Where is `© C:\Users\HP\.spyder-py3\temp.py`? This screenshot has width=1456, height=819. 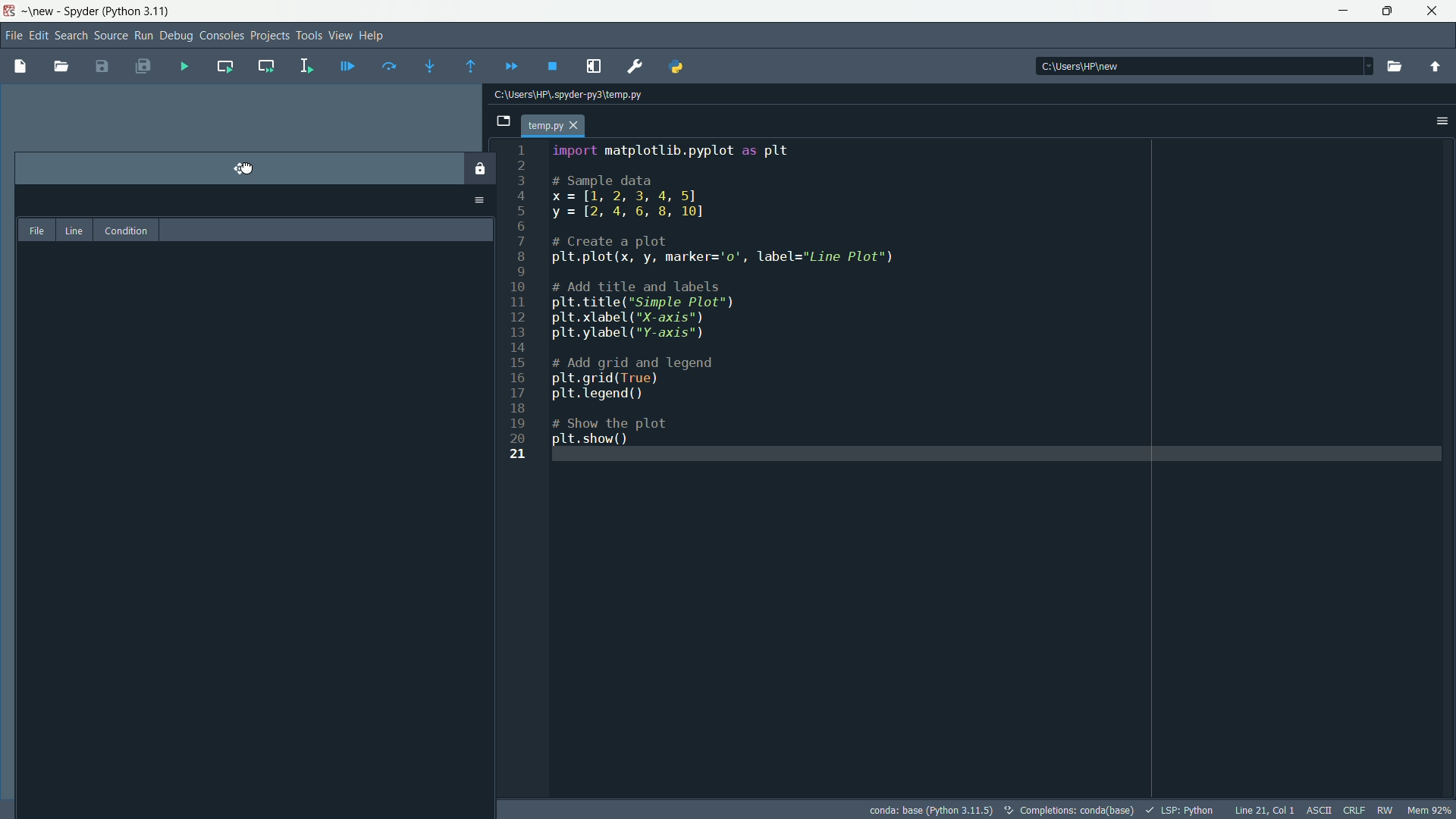
© C:\Users\HP\.spyder-py3\temp.py is located at coordinates (591, 95).